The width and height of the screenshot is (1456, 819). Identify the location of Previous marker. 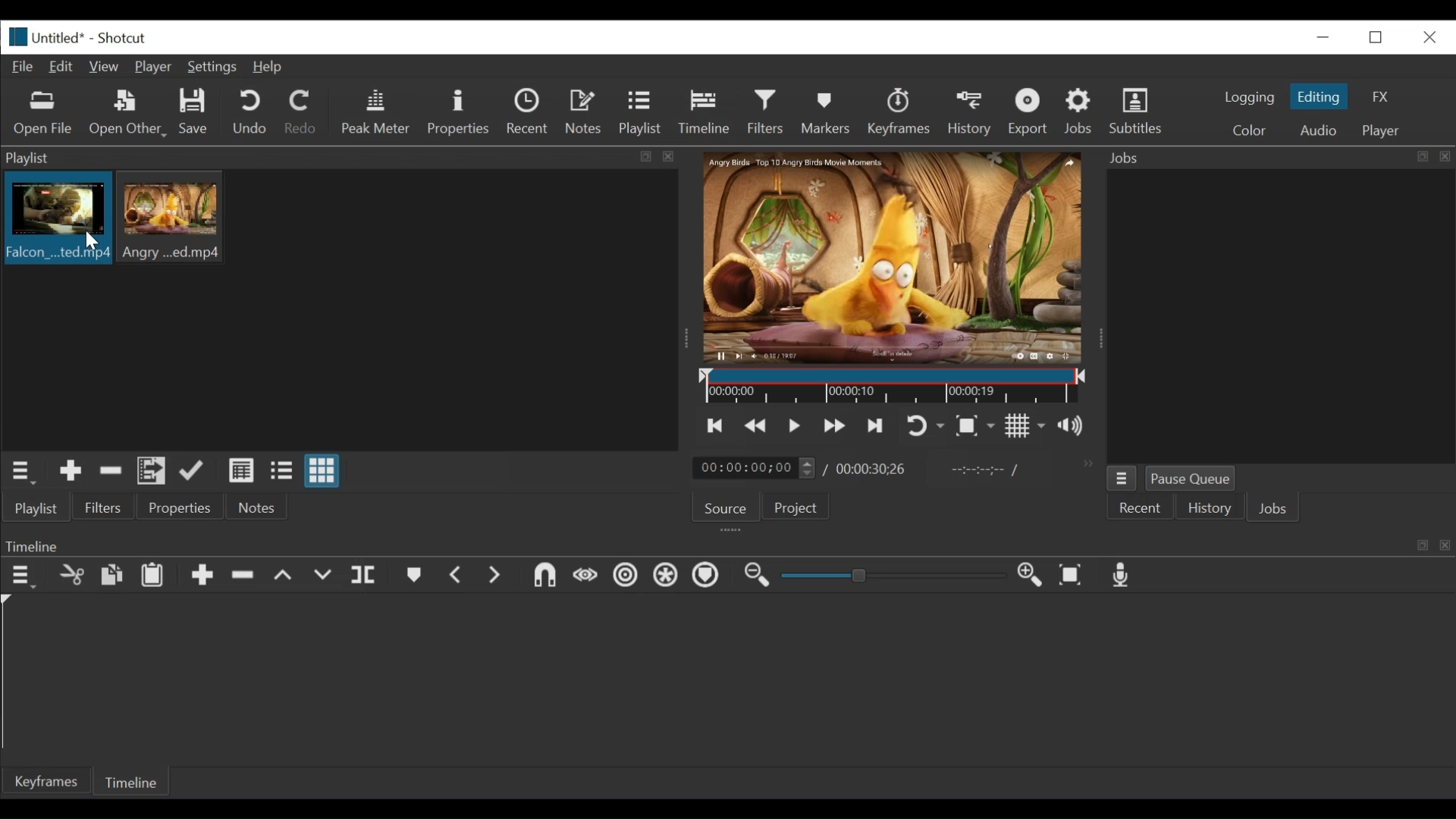
(457, 578).